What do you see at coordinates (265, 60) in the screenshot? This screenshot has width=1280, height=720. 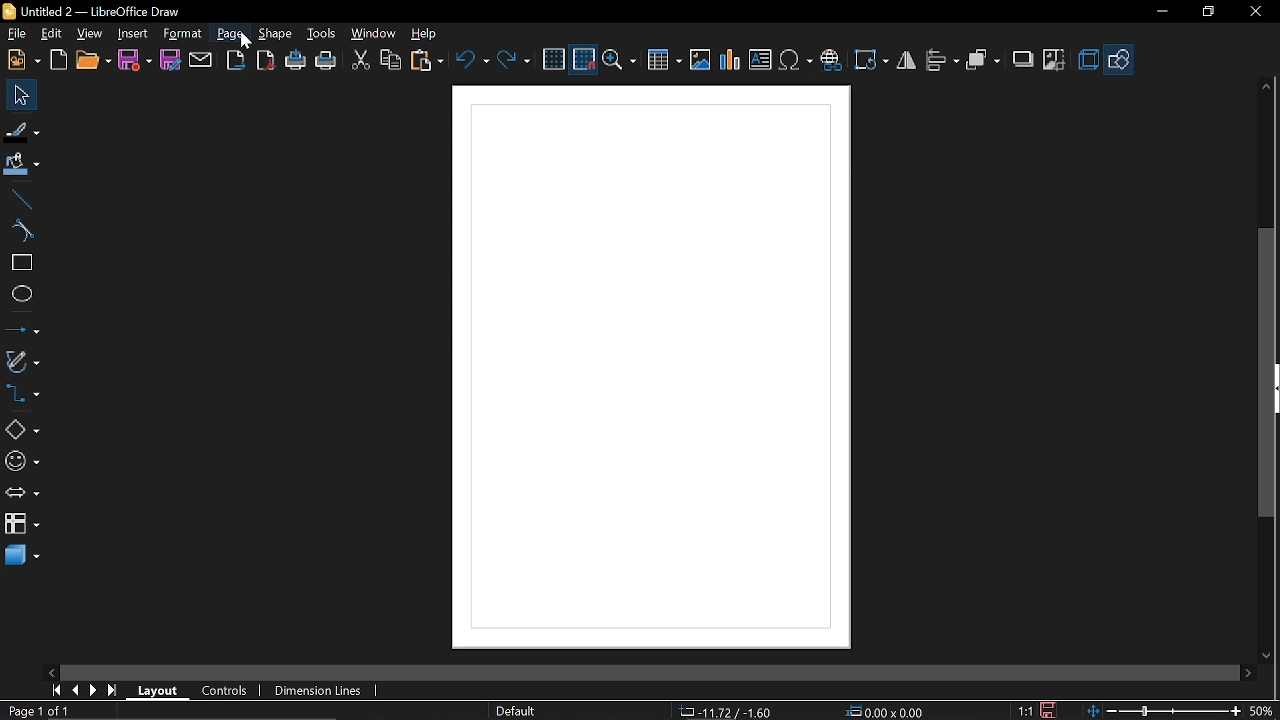 I see `Export as pdf` at bounding box center [265, 60].